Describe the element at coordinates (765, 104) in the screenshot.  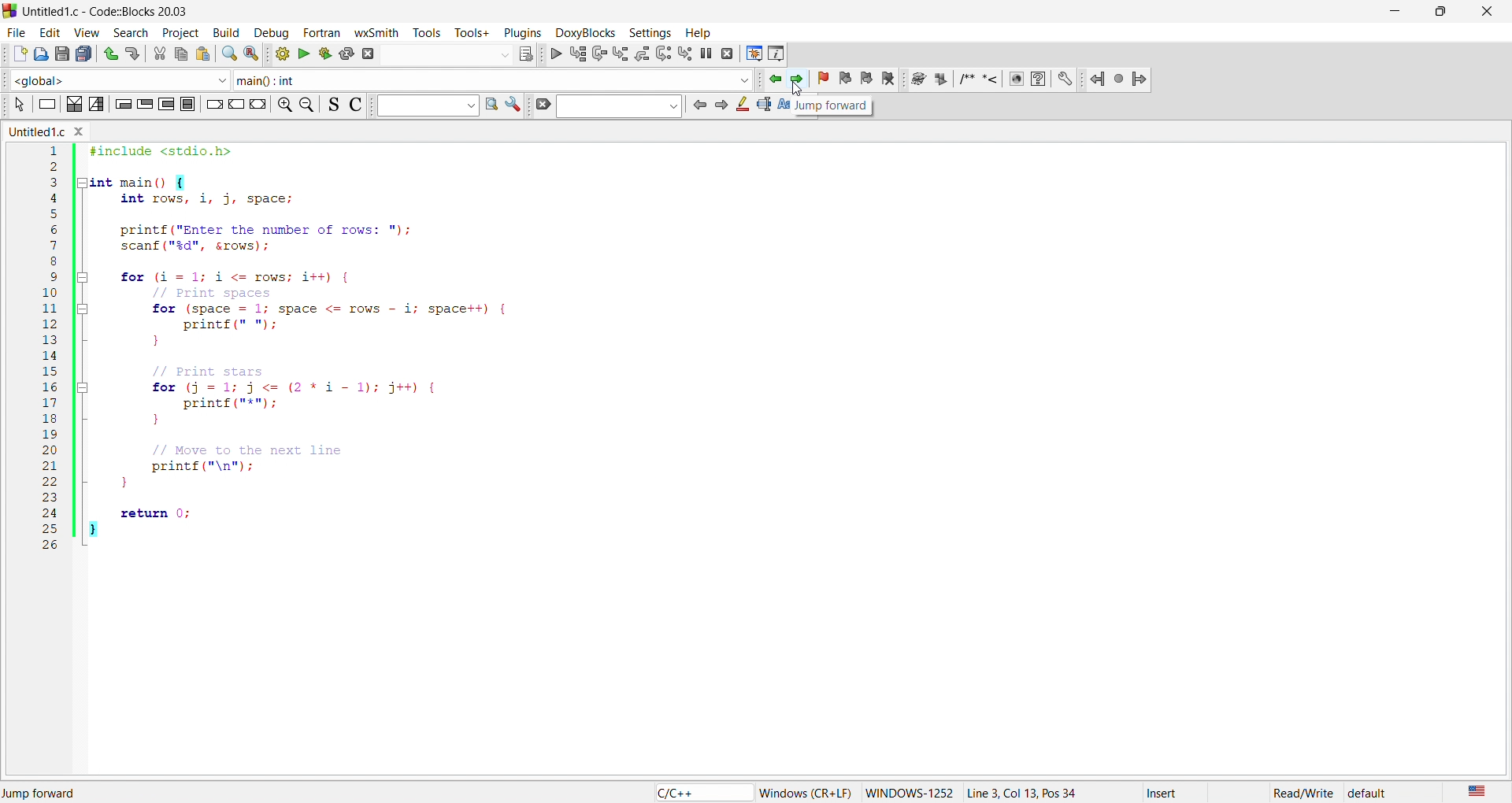
I see `icon` at that location.